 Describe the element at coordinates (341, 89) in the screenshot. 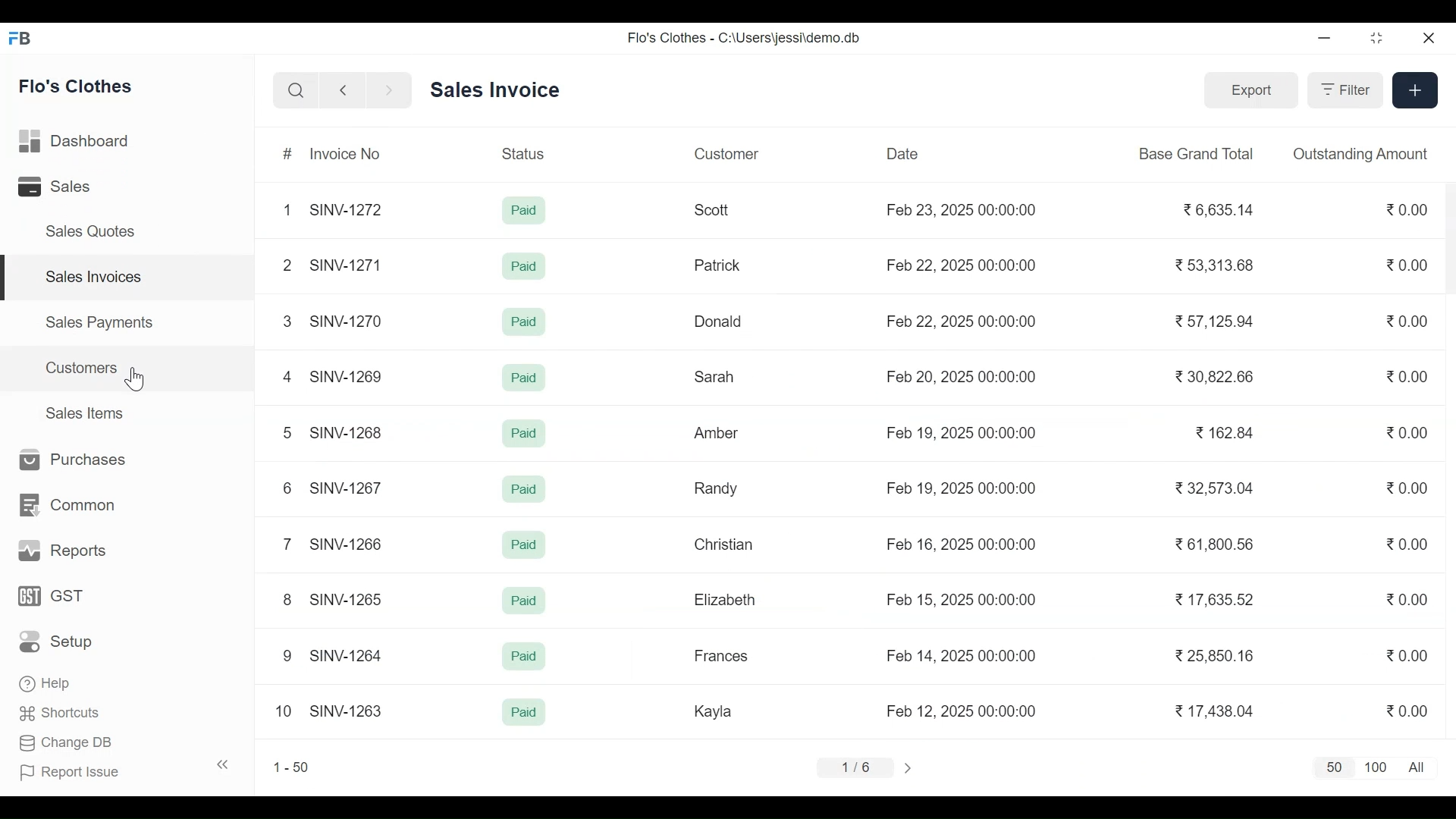

I see `Navigate back` at that location.